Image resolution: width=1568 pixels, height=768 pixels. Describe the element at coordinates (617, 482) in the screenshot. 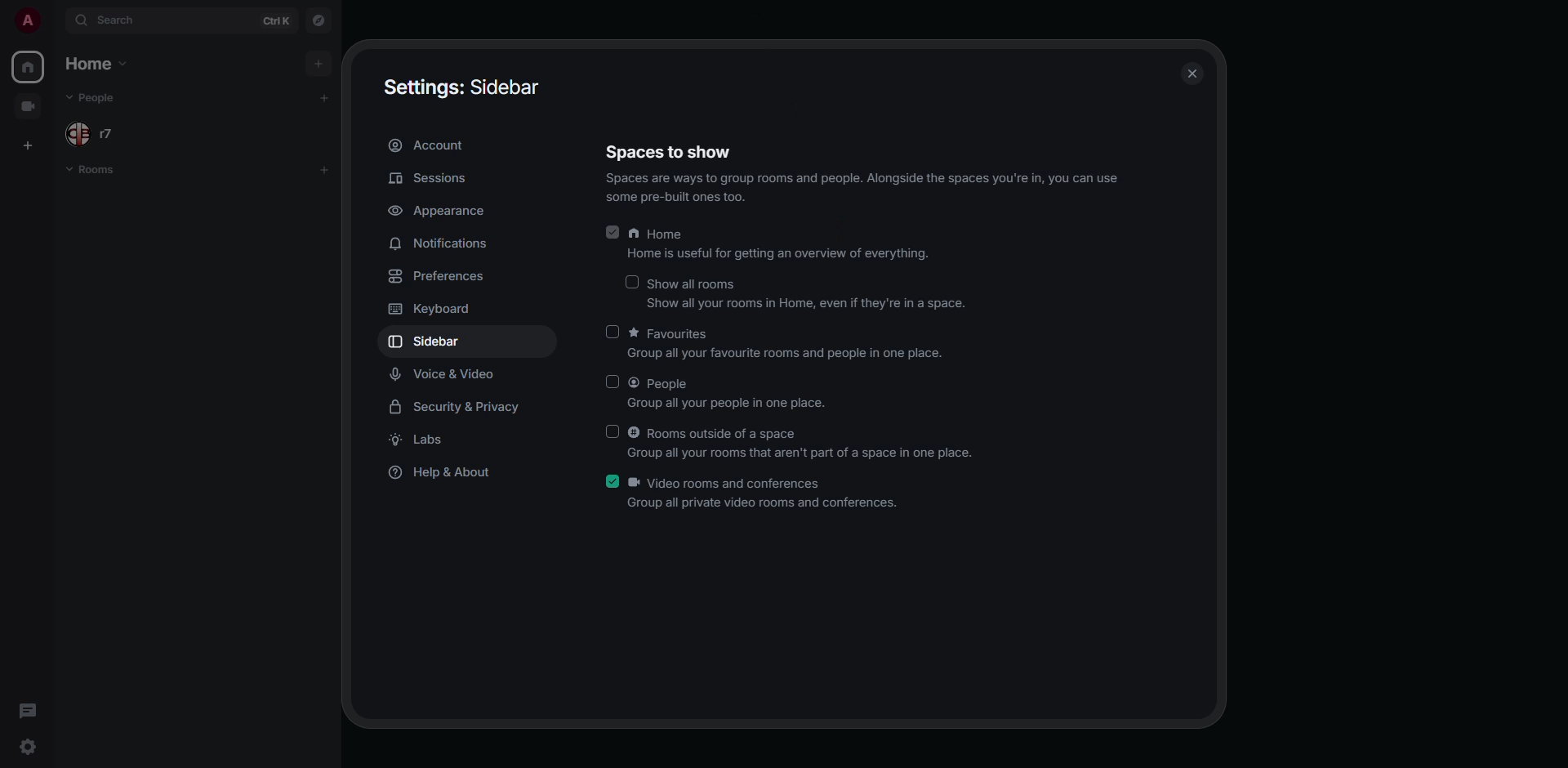

I see `enabled` at that location.